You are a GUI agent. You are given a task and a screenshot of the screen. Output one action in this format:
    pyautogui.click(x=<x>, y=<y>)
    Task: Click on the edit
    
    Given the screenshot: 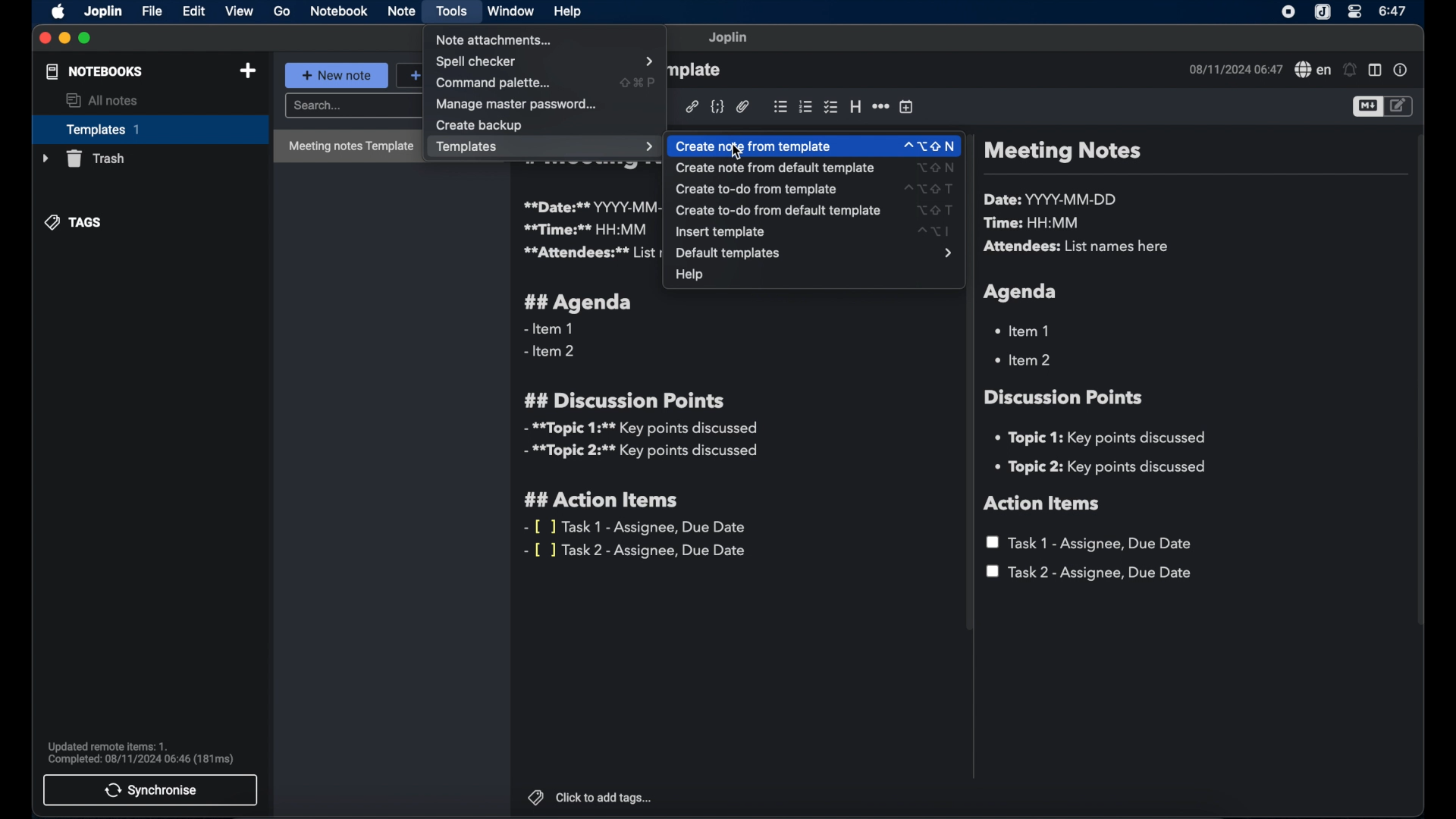 What is the action you would take?
    pyautogui.click(x=193, y=11)
    